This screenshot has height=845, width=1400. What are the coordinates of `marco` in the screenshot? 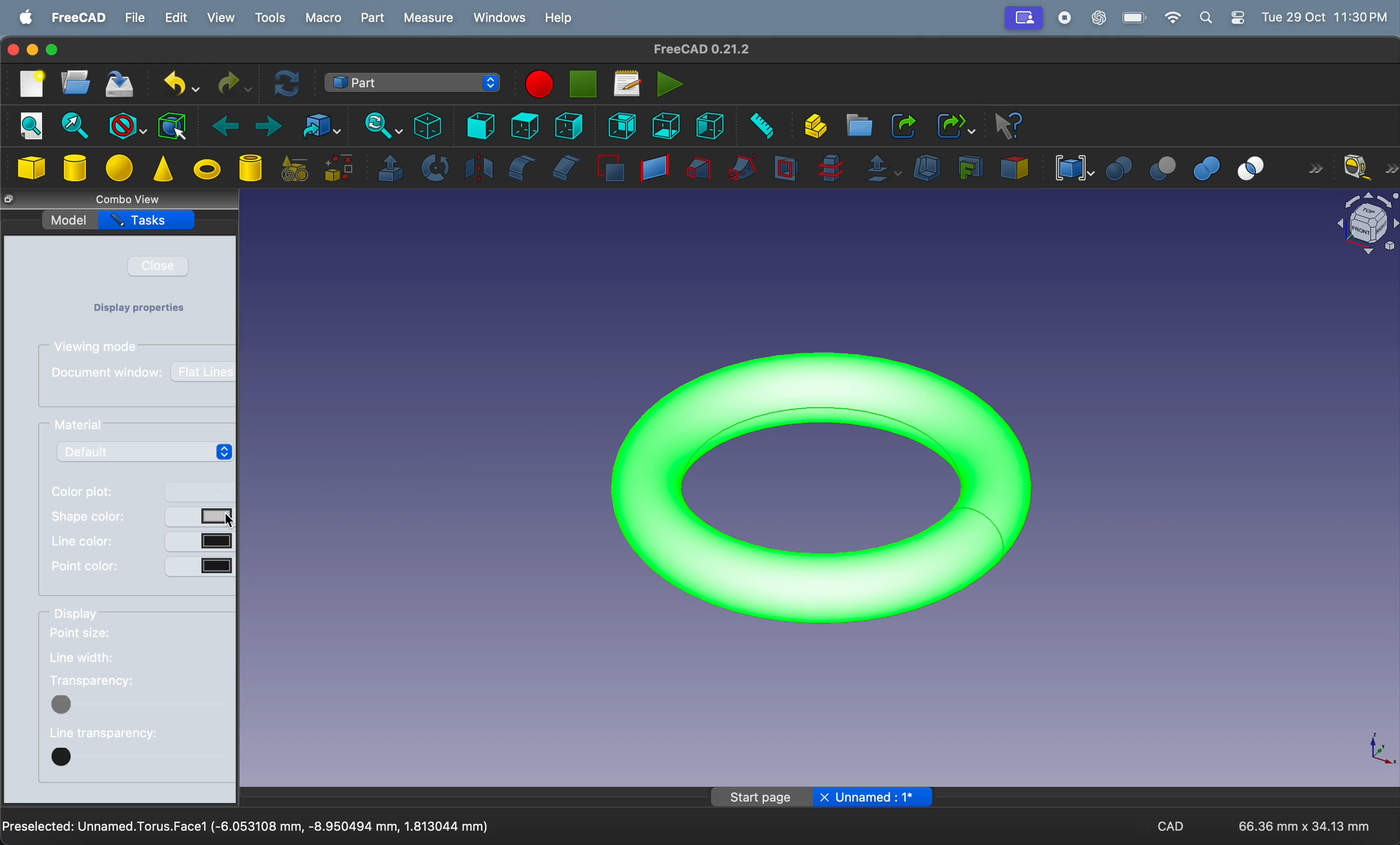 It's located at (323, 16).